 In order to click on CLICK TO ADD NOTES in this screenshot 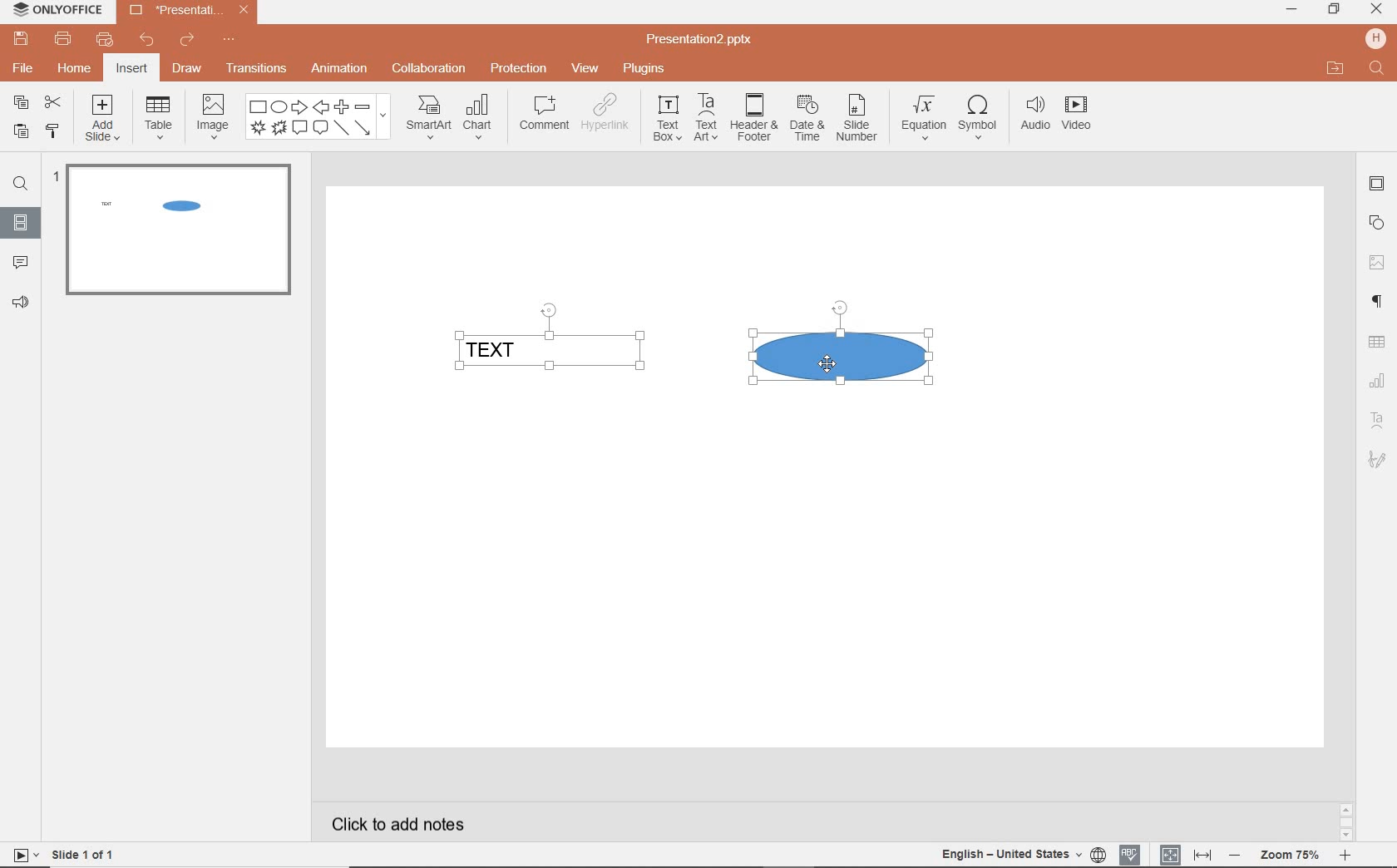, I will do `click(402, 822)`.